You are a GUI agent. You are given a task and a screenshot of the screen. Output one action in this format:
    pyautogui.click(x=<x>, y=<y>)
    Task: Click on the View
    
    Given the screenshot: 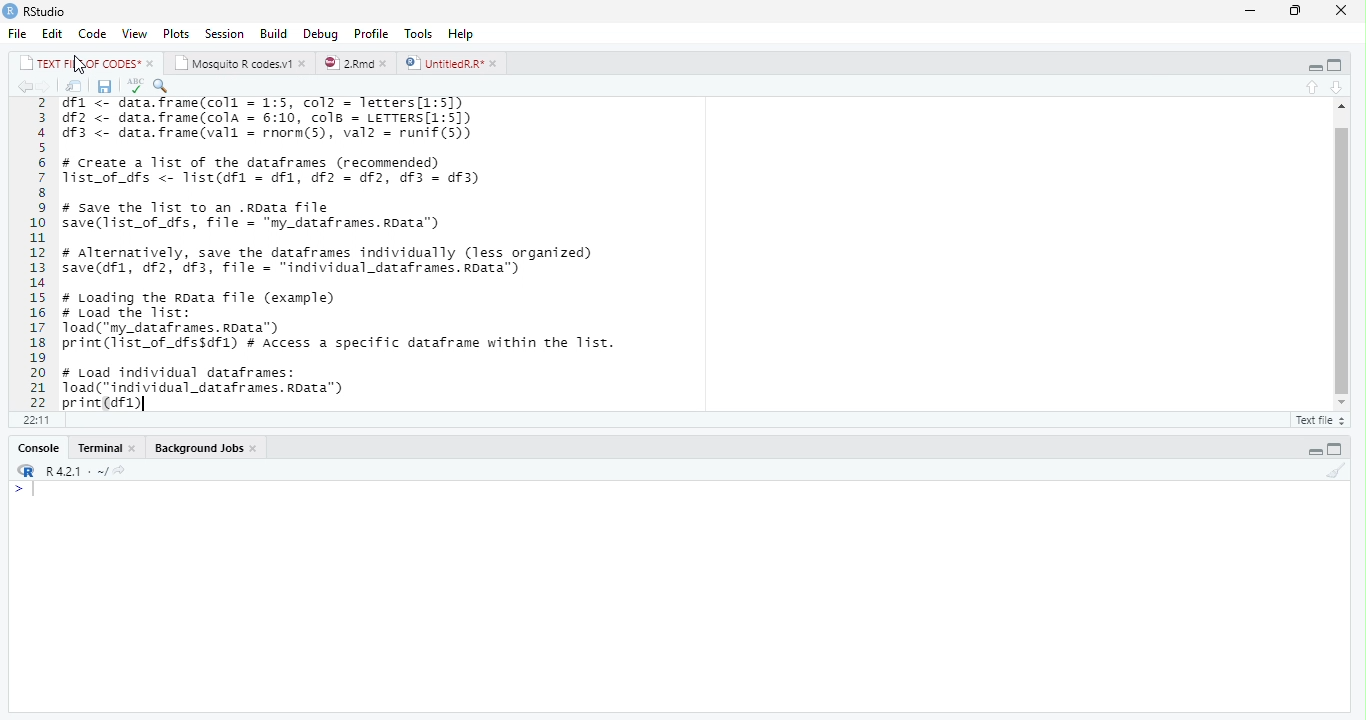 What is the action you would take?
    pyautogui.click(x=135, y=34)
    